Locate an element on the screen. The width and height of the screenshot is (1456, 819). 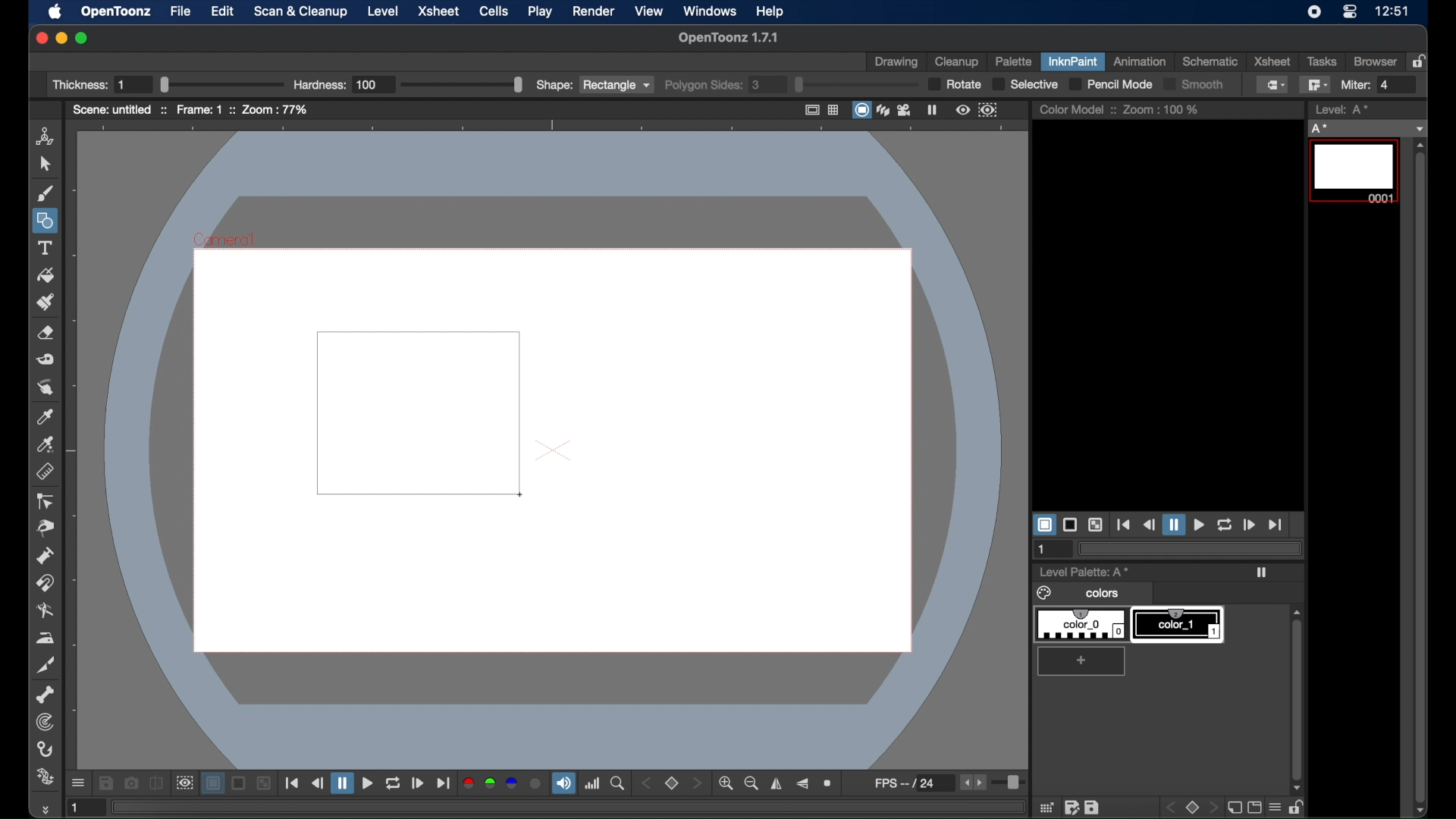
inknpaint is located at coordinates (1072, 61).